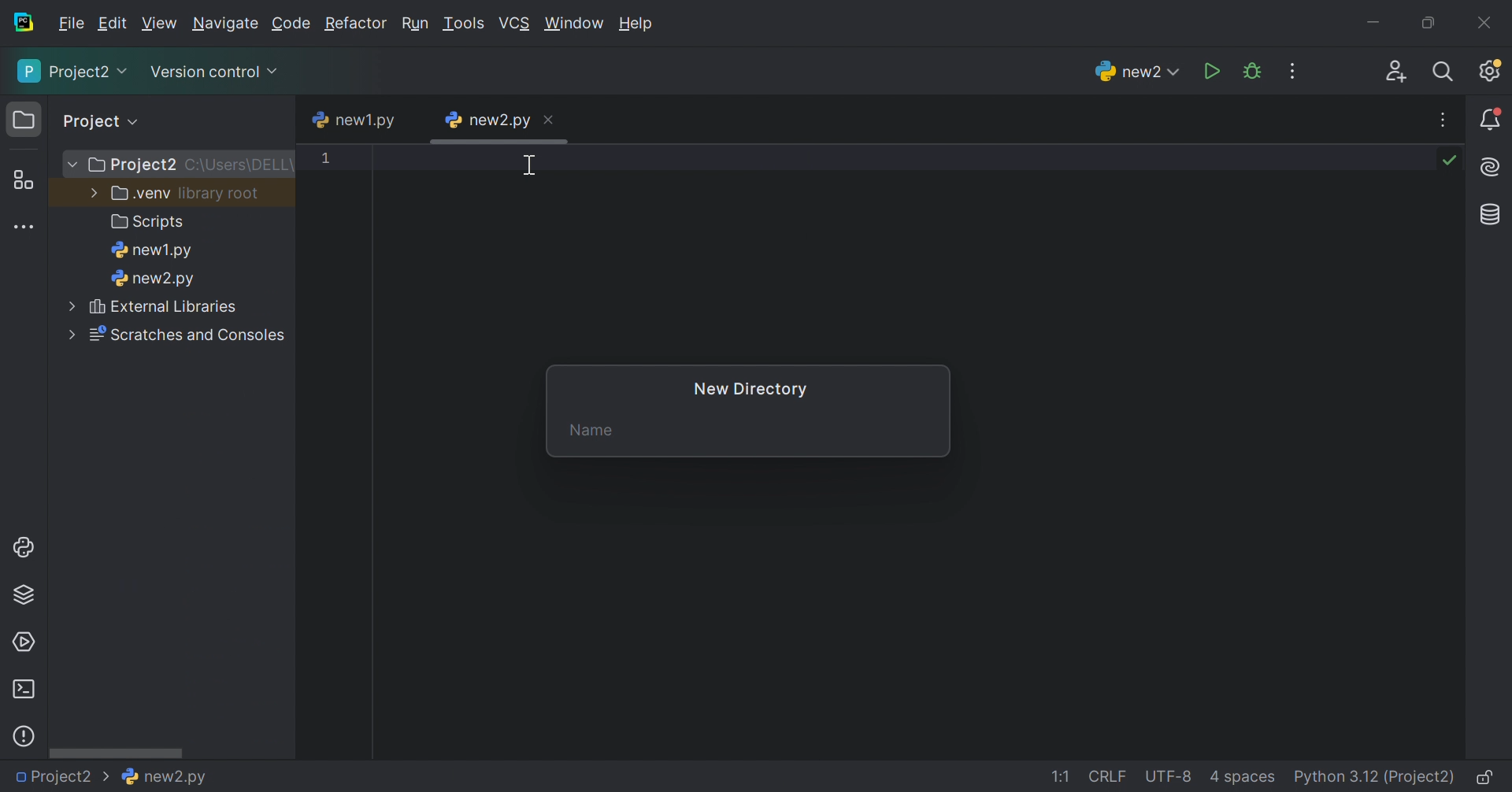 This screenshot has width=1512, height=792. Describe the element at coordinates (514, 23) in the screenshot. I see `VCS` at that location.